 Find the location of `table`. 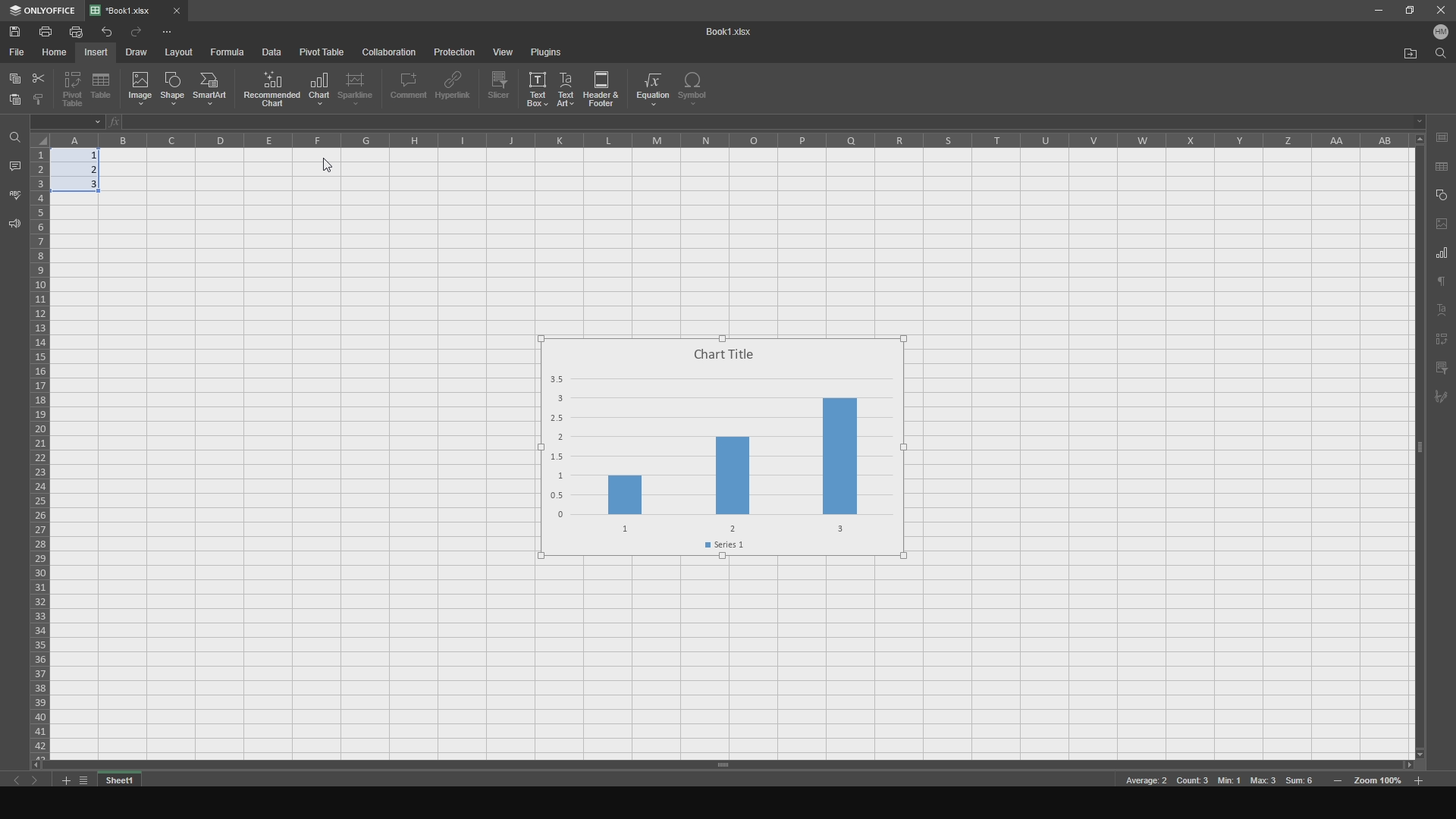

table is located at coordinates (101, 88).